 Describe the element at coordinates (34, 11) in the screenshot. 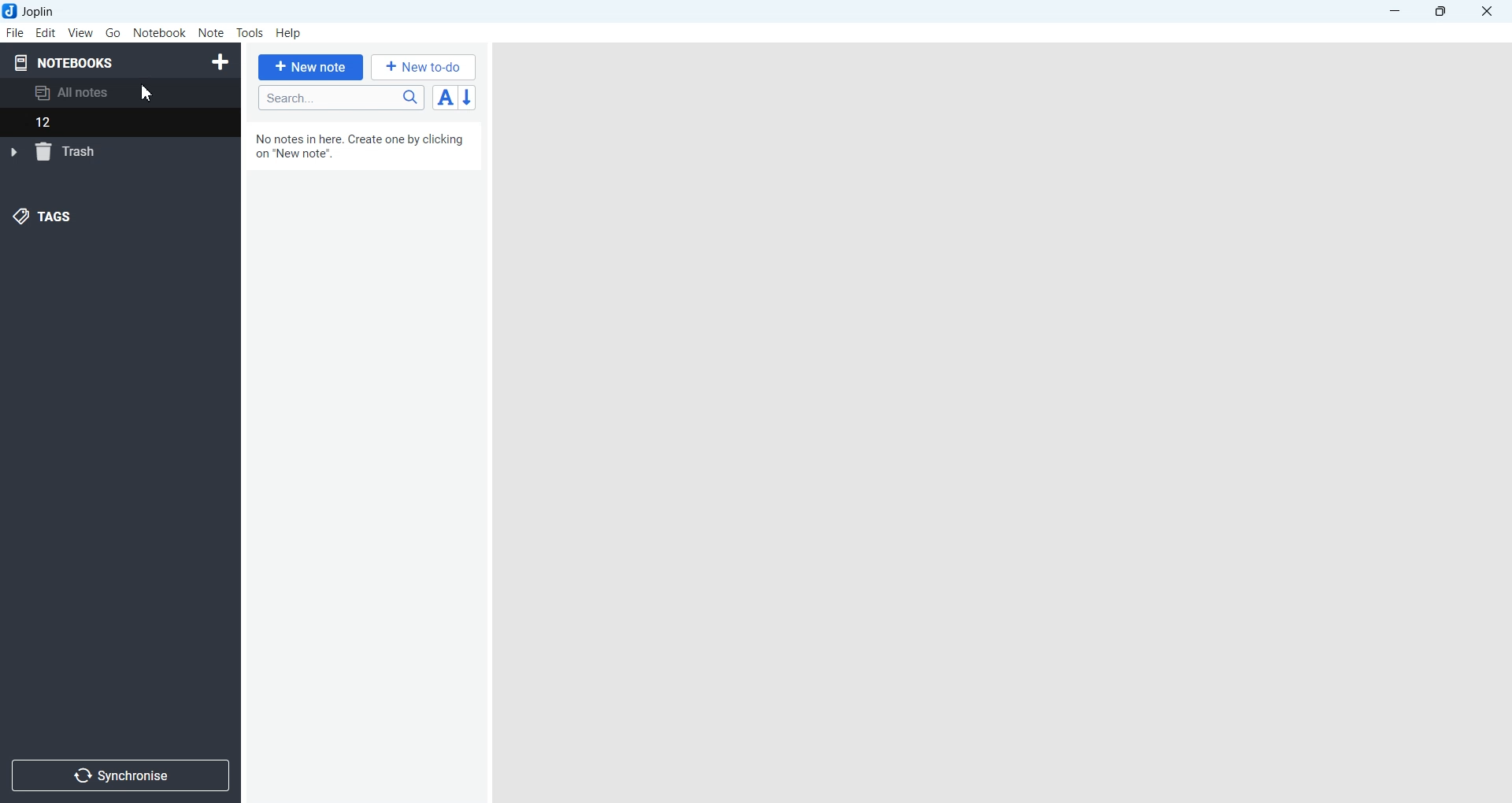

I see `Joplin` at that location.